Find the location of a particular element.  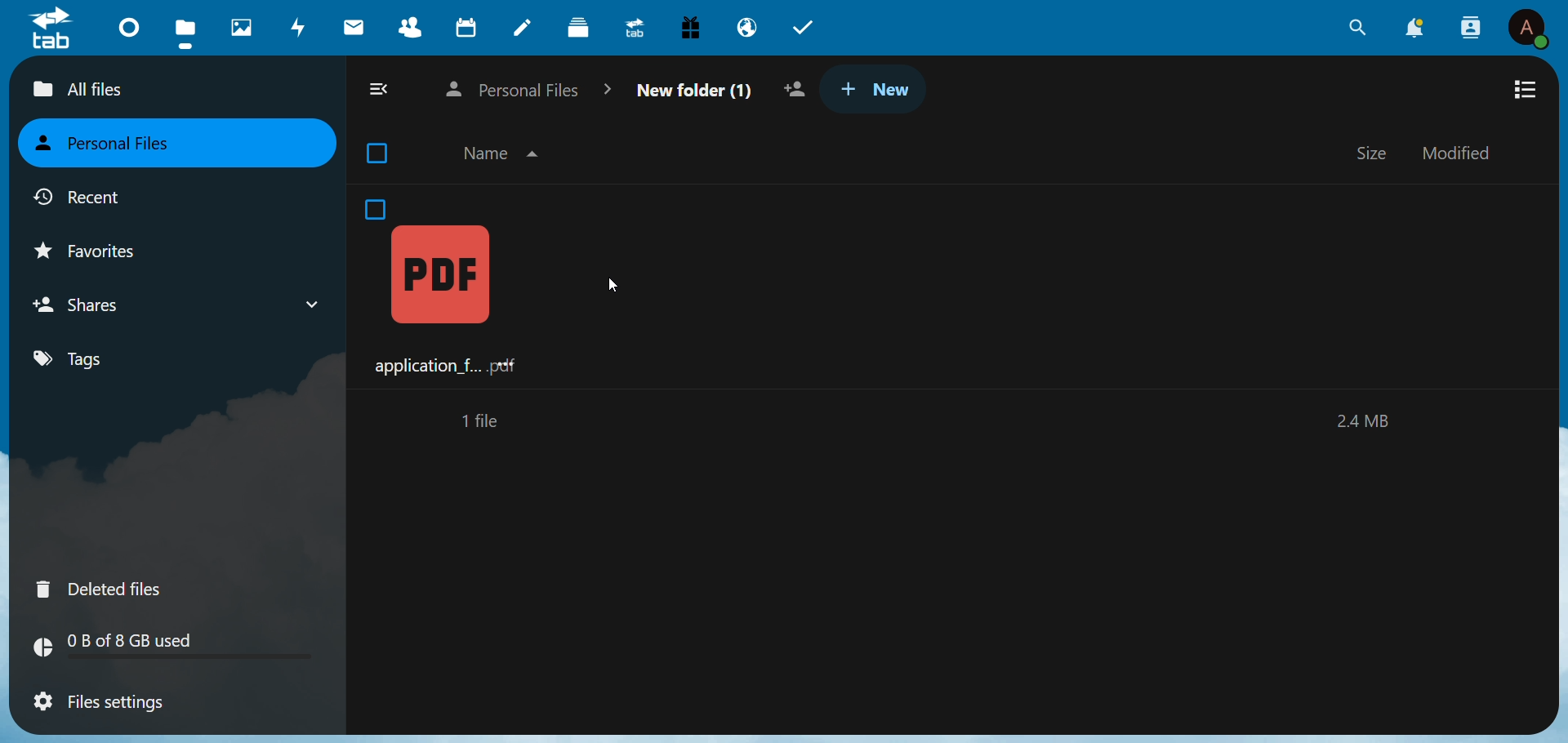

file is located at coordinates (441, 289).